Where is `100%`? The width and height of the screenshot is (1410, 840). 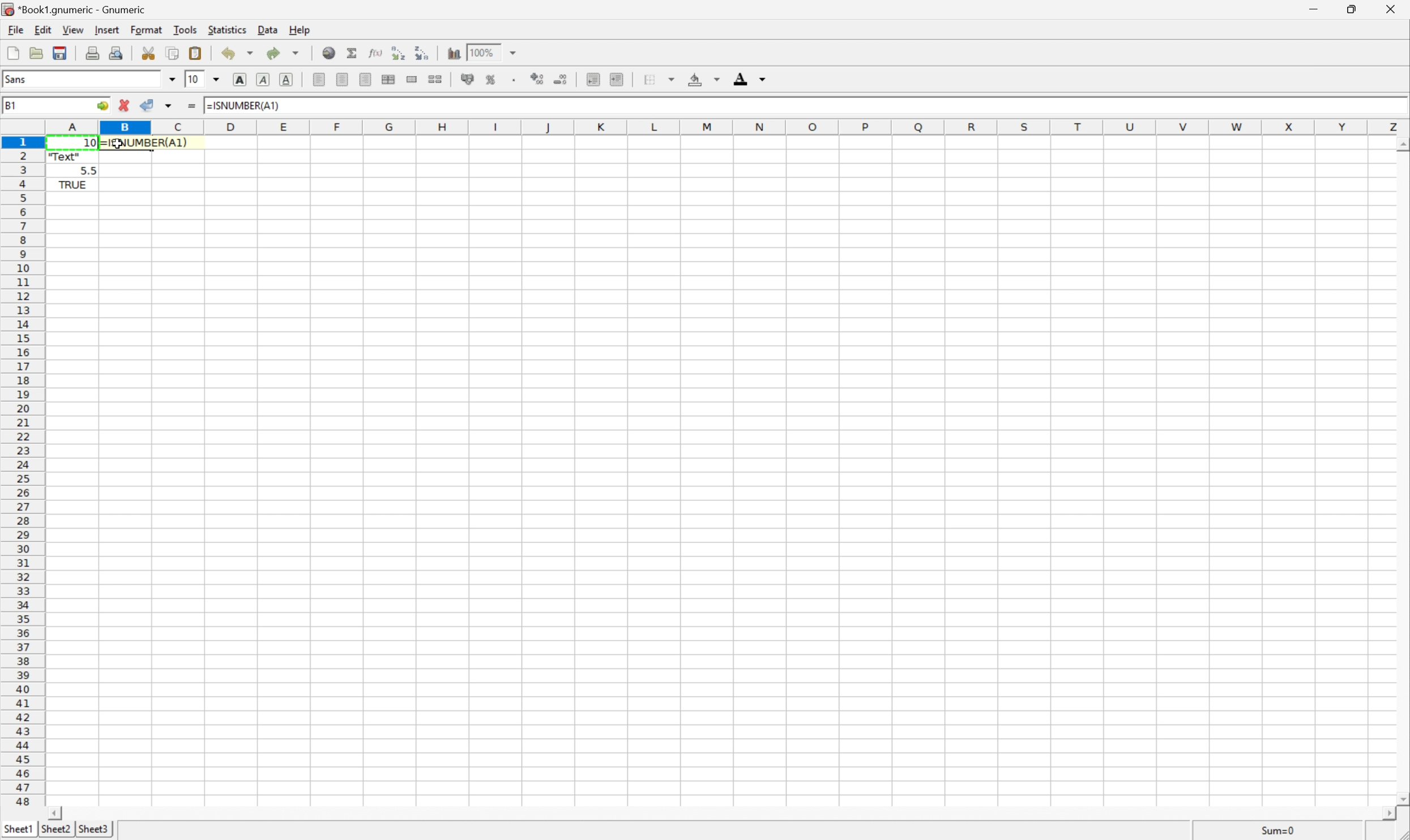 100% is located at coordinates (484, 52).